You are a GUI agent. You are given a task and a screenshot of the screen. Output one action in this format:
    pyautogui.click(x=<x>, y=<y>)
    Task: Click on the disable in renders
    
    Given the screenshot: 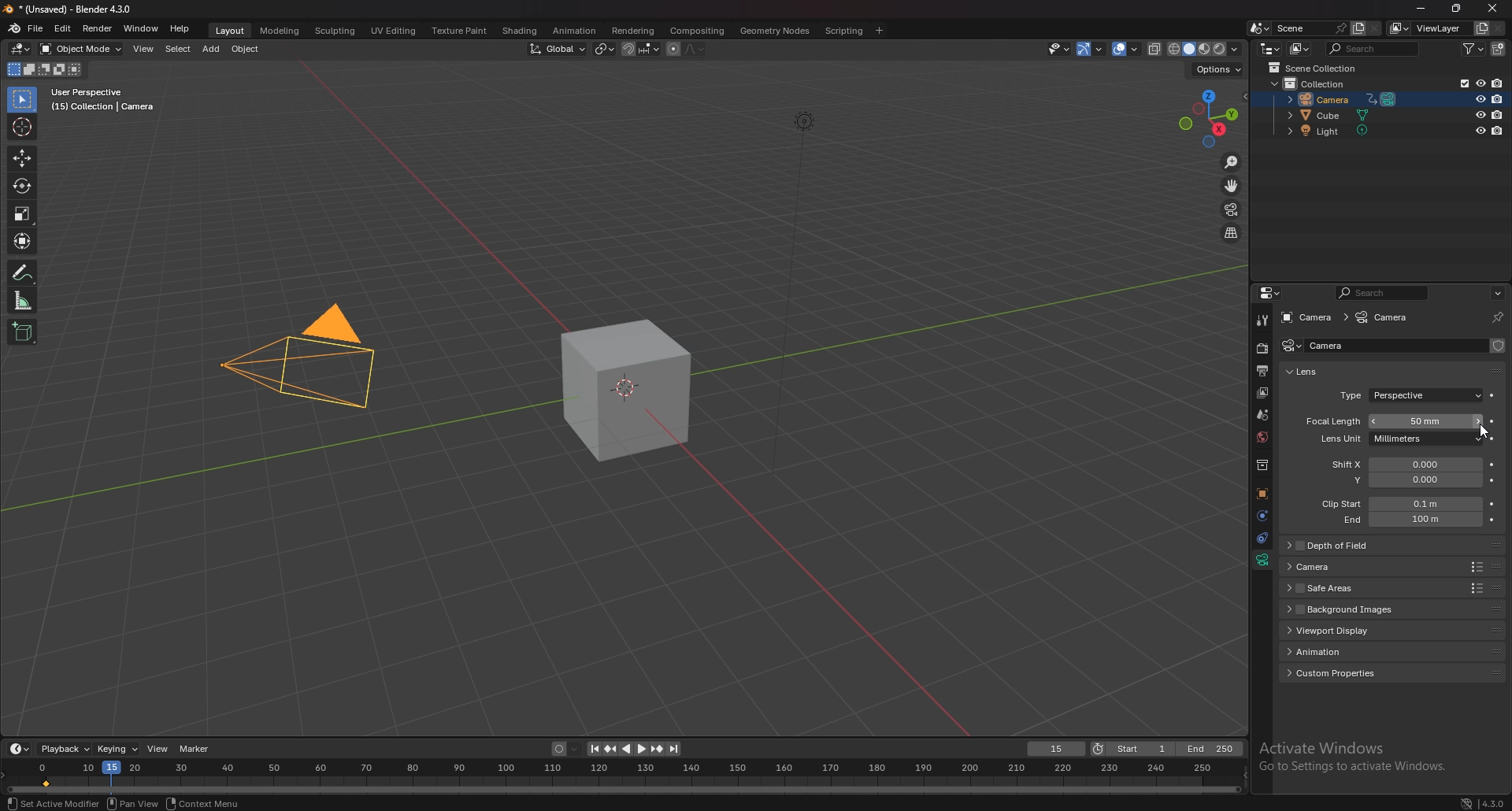 What is the action you would take?
    pyautogui.click(x=1496, y=132)
    